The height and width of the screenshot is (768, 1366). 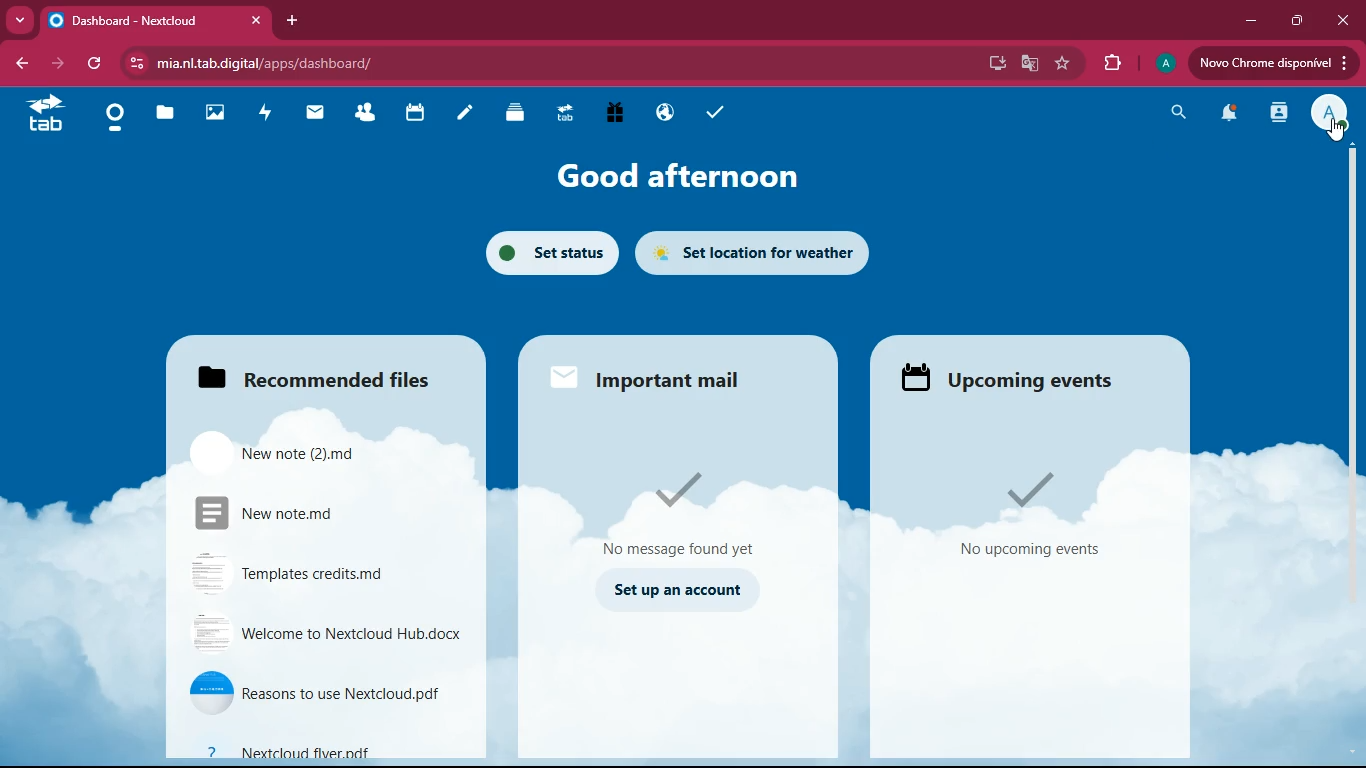 I want to click on notes, so click(x=465, y=113).